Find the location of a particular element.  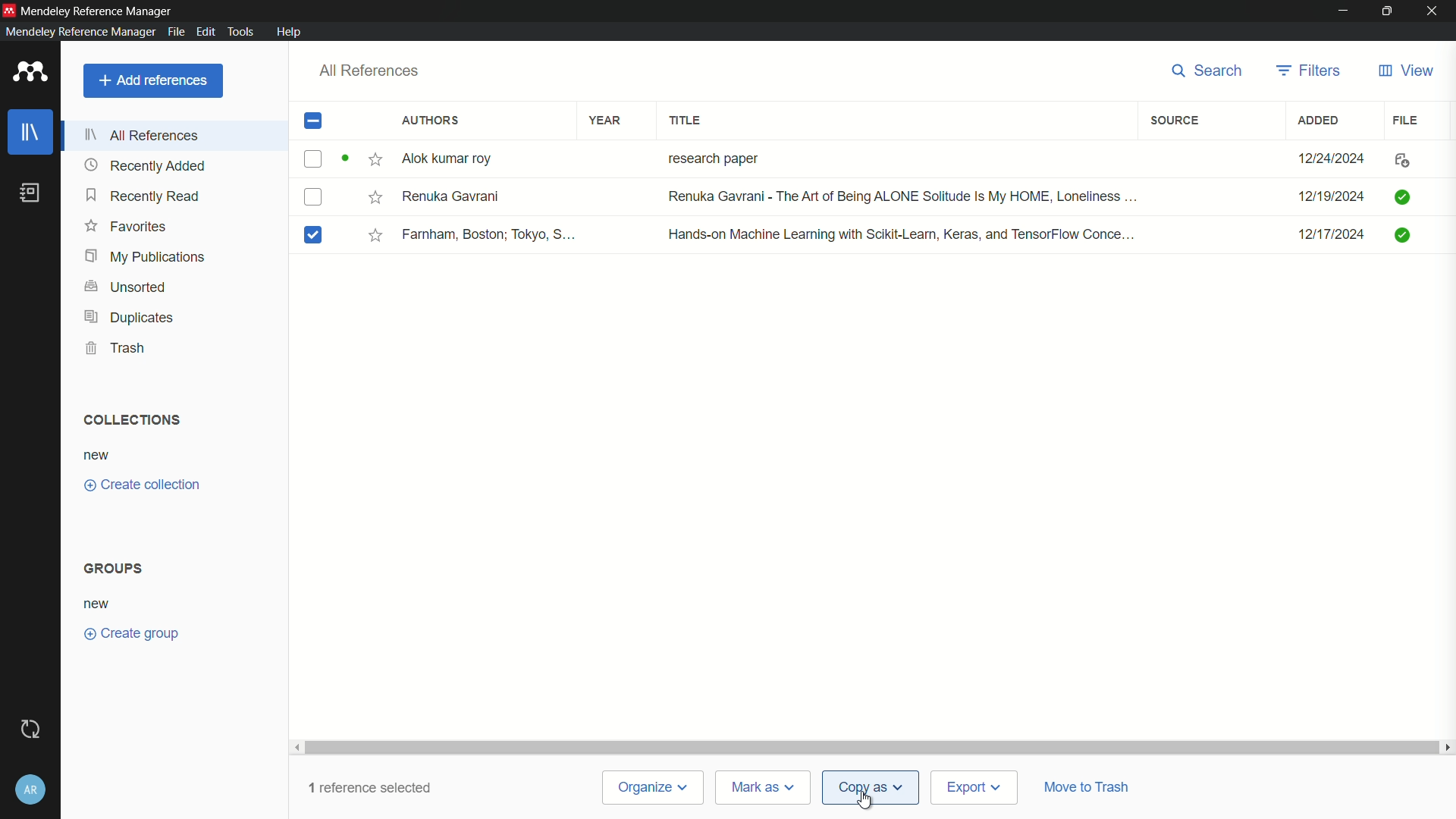

12/17/2024 is located at coordinates (1323, 235).